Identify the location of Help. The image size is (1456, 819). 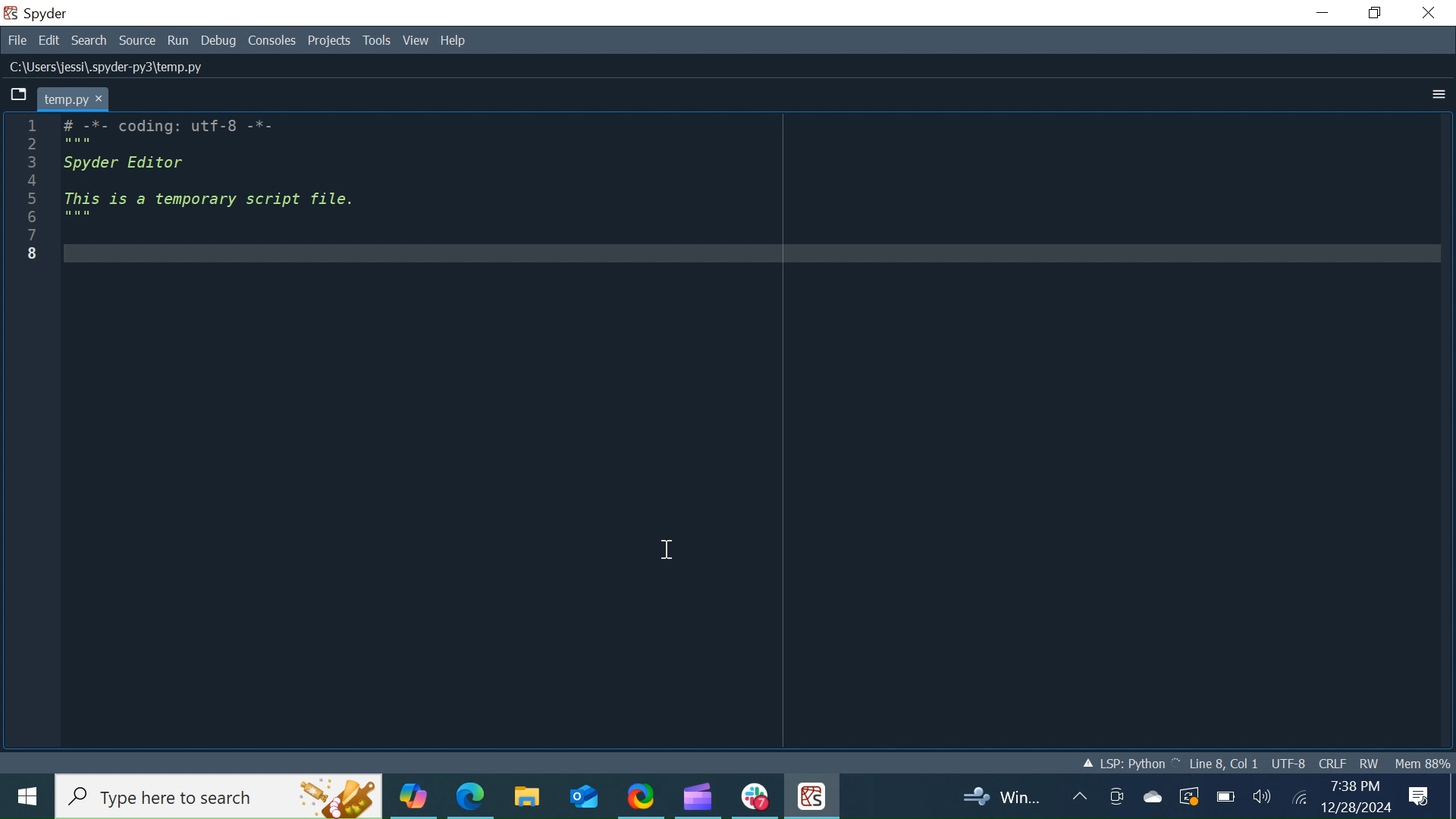
(456, 41).